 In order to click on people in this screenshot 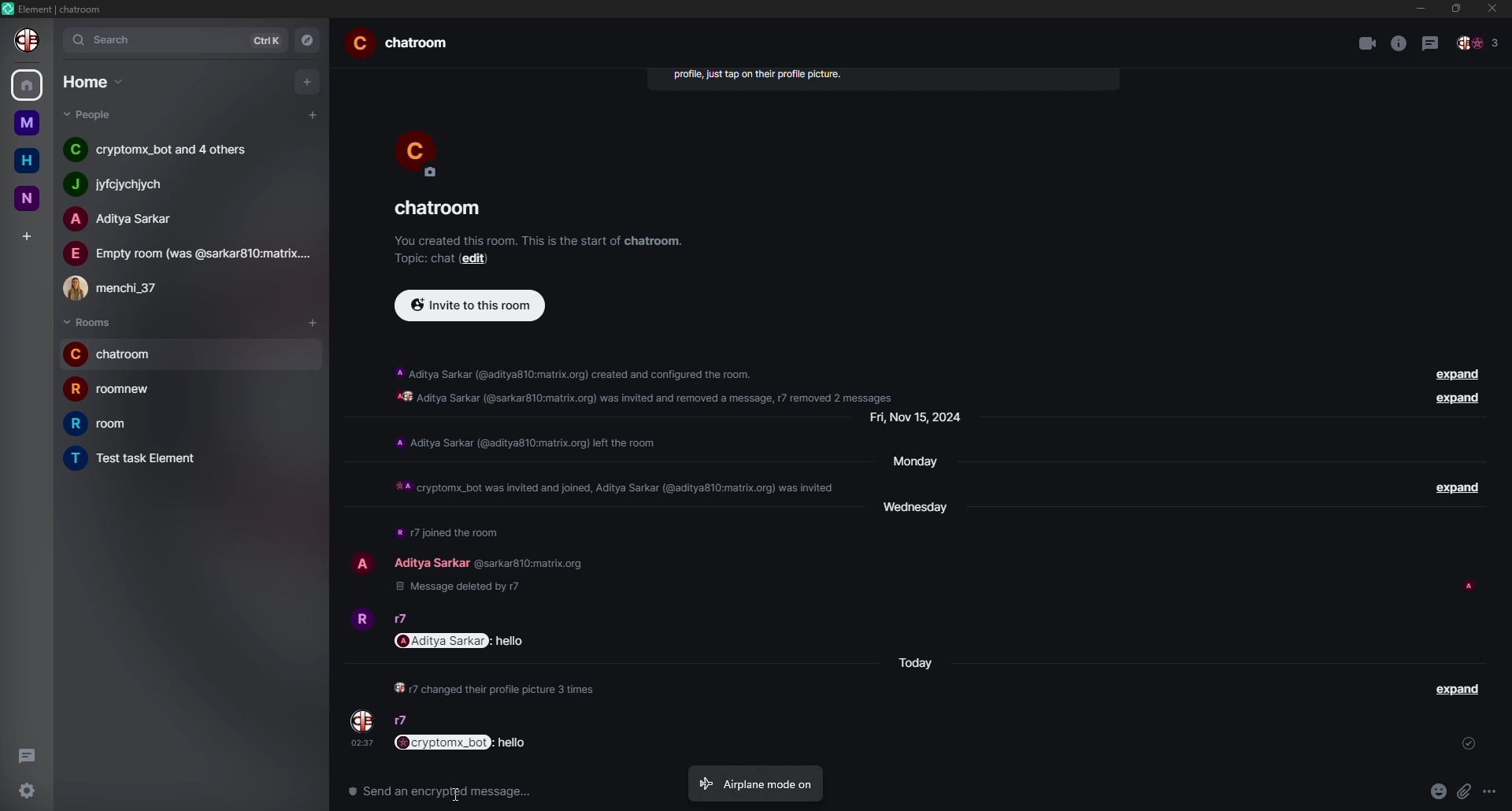, I will do `click(166, 150)`.